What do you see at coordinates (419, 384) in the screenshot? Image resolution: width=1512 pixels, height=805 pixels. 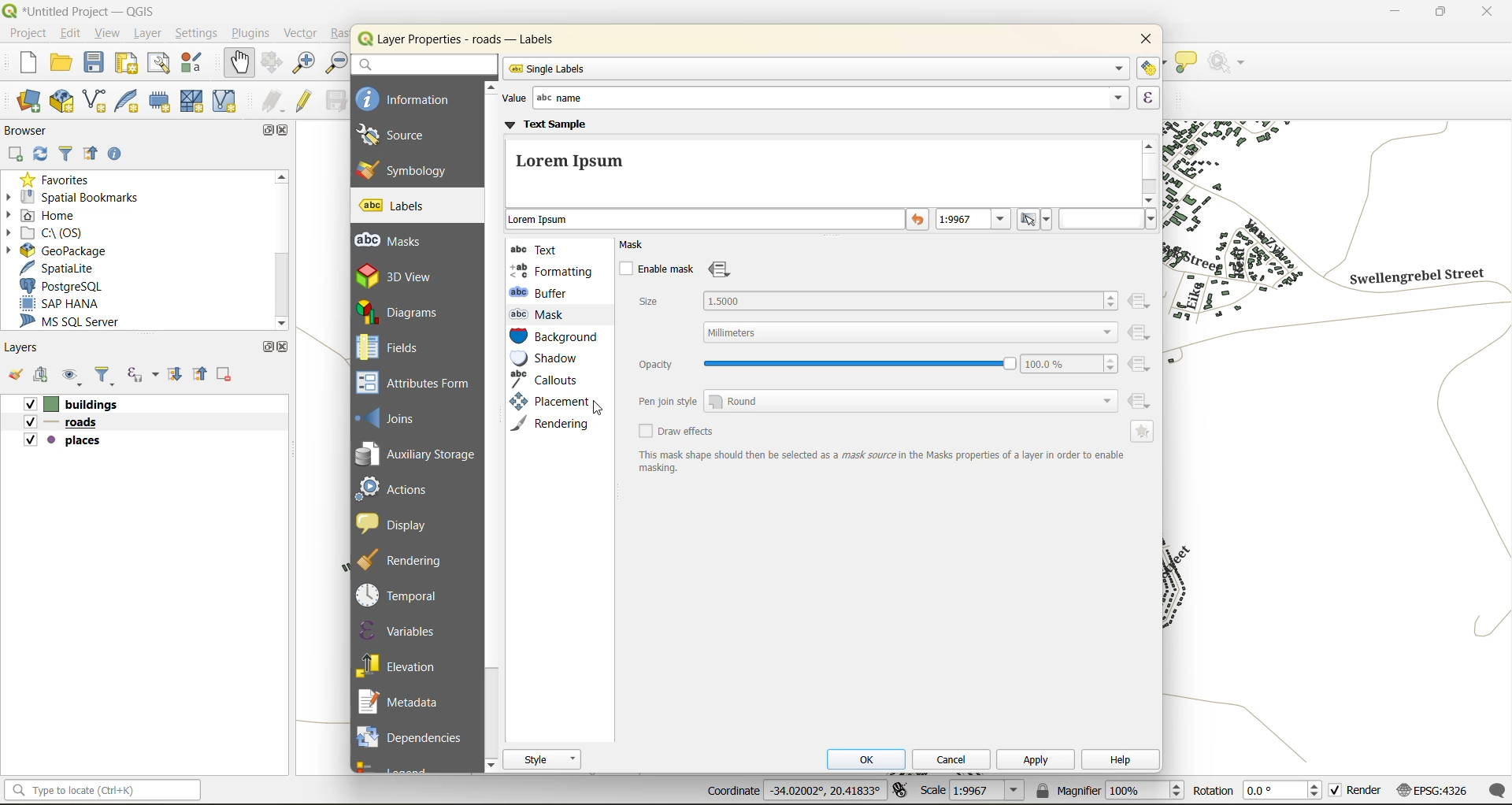 I see `attributes form` at bounding box center [419, 384].